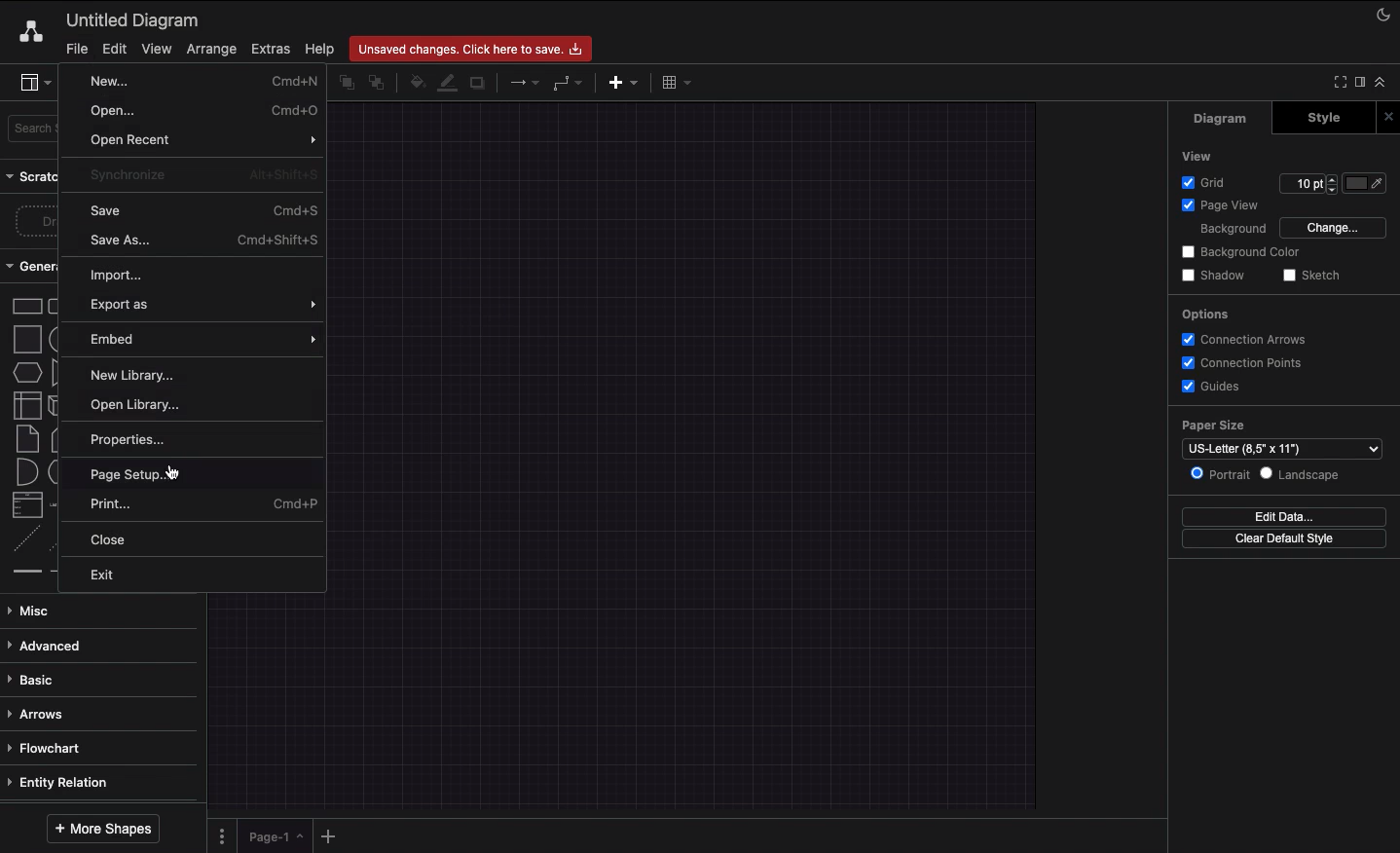  What do you see at coordinates (203, 209) in the screenshot?
I see `Save` at bounding box center [203, 209].